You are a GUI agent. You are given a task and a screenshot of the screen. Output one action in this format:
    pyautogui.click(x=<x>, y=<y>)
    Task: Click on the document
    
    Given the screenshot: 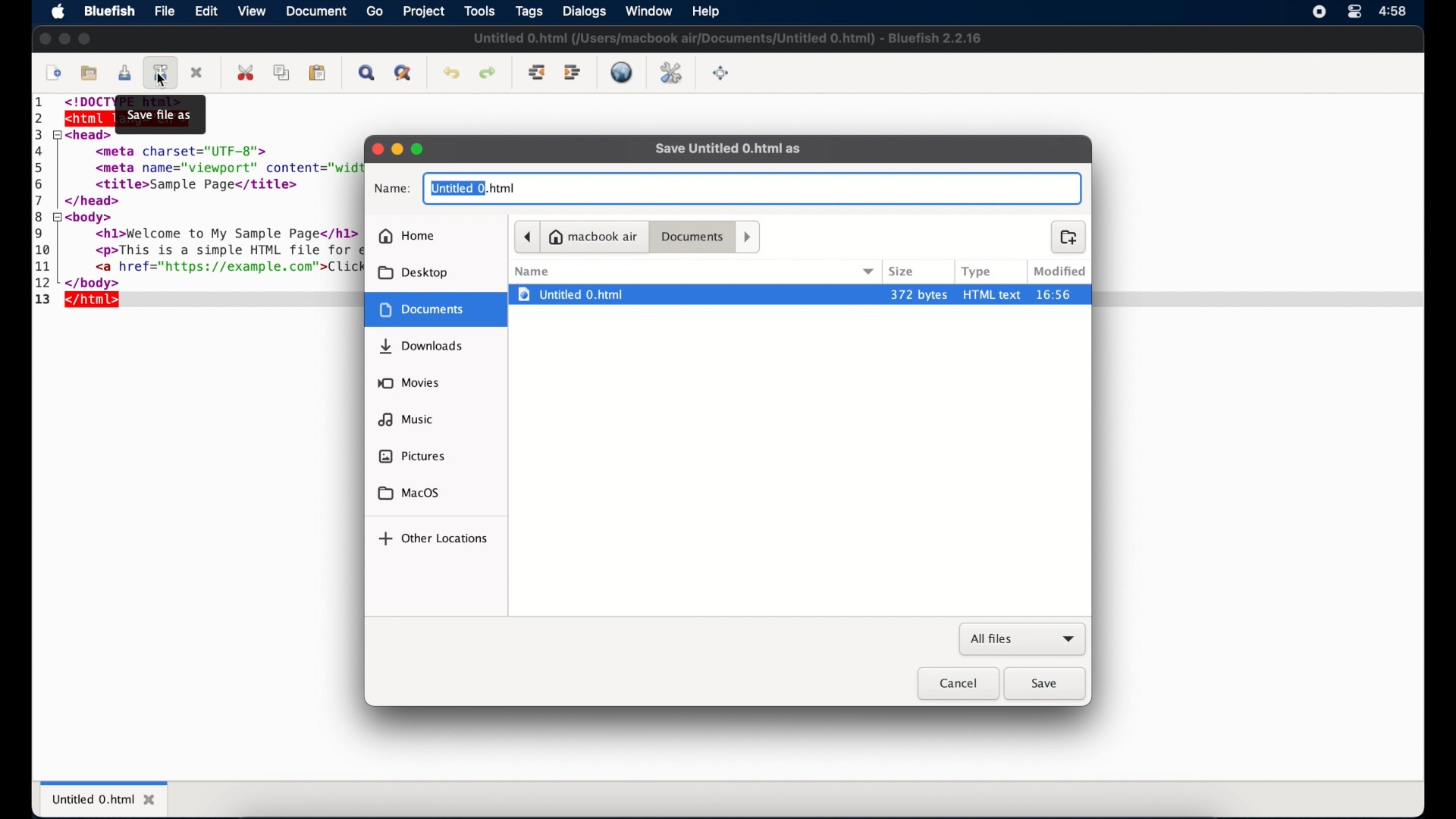 What is the action you would take?
    pyautogui.click(x=434, y=309)
    